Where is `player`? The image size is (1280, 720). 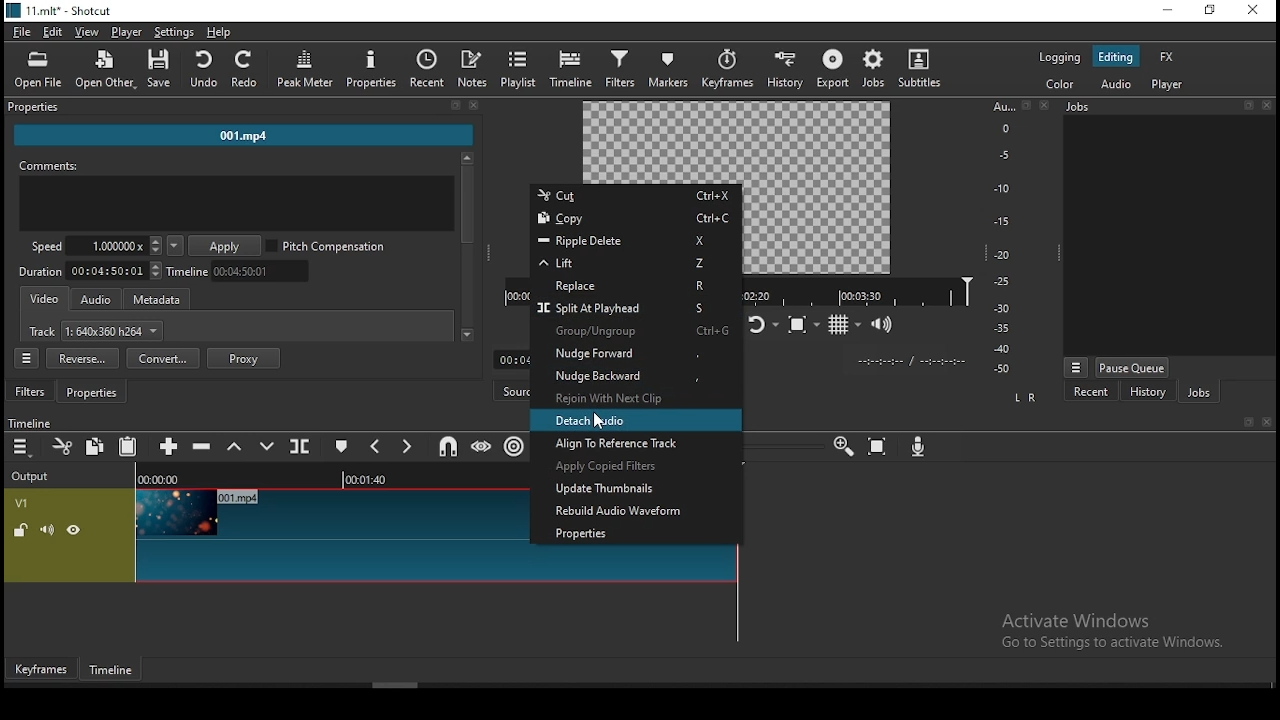 player is located at coordinates (126, 32).